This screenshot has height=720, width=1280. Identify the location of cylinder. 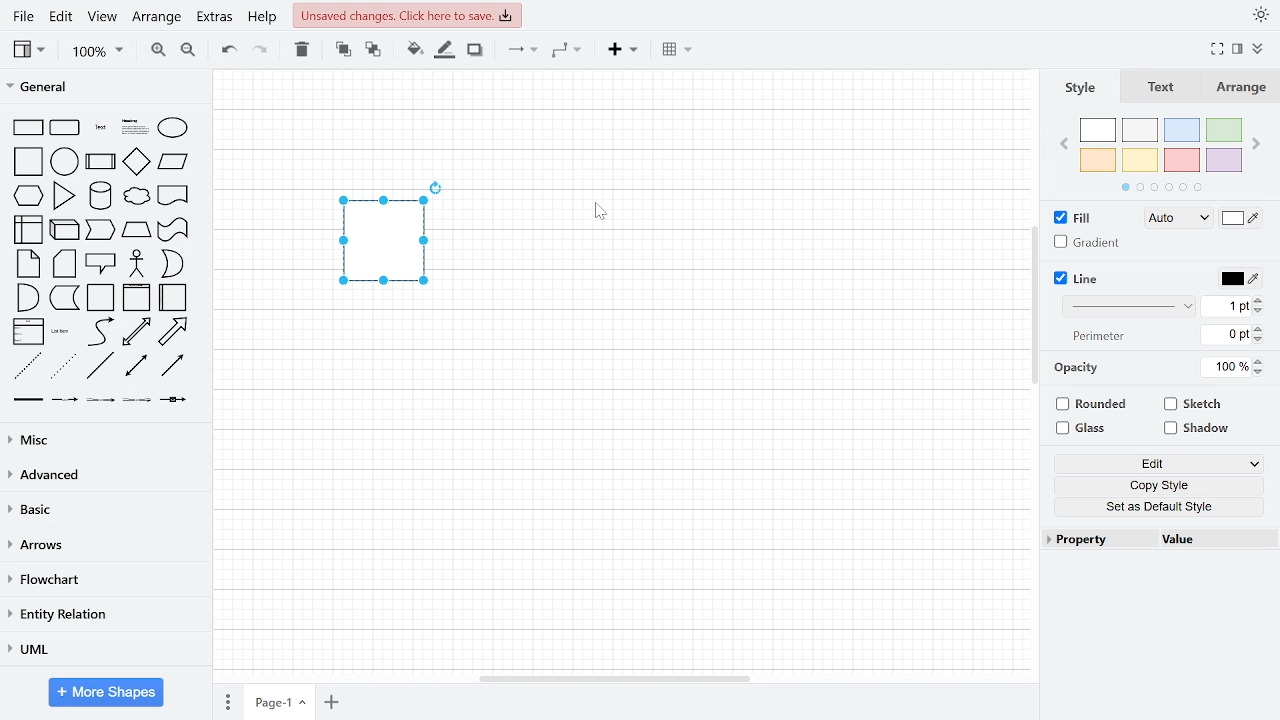
(102, 196).